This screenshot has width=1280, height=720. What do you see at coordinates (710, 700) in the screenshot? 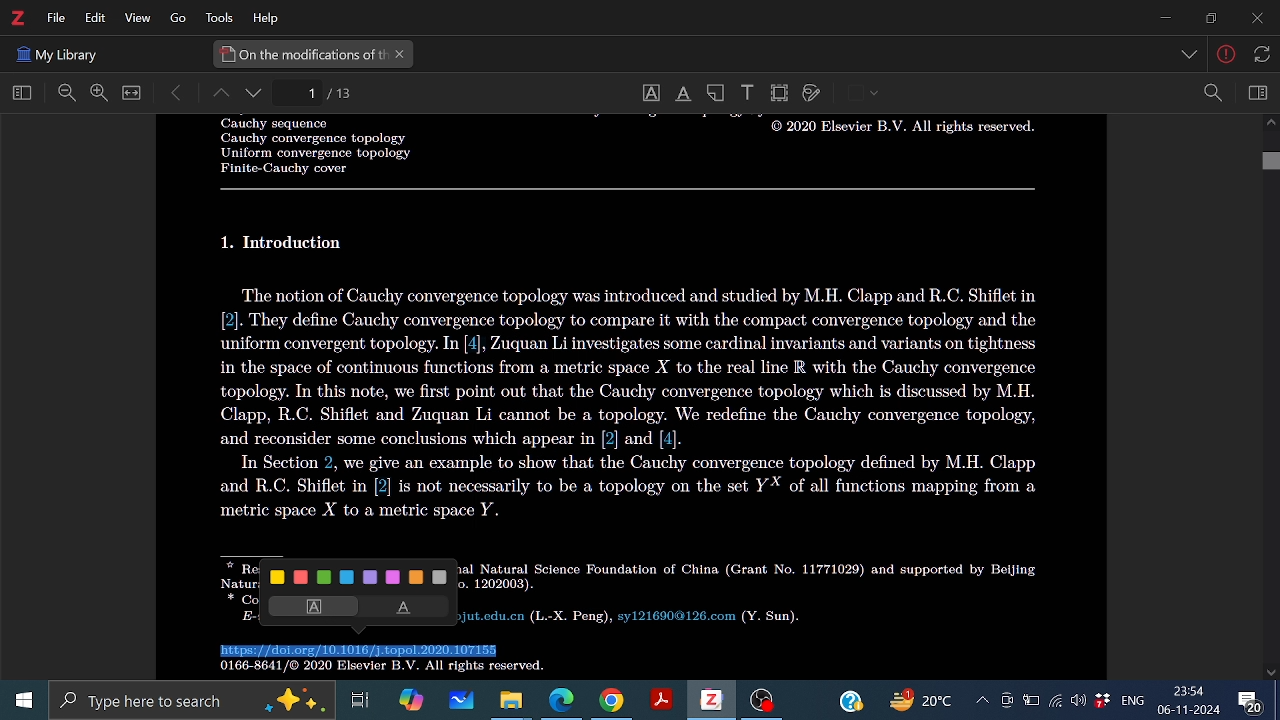
I see `Zotero` at bounding box center [710, 700].